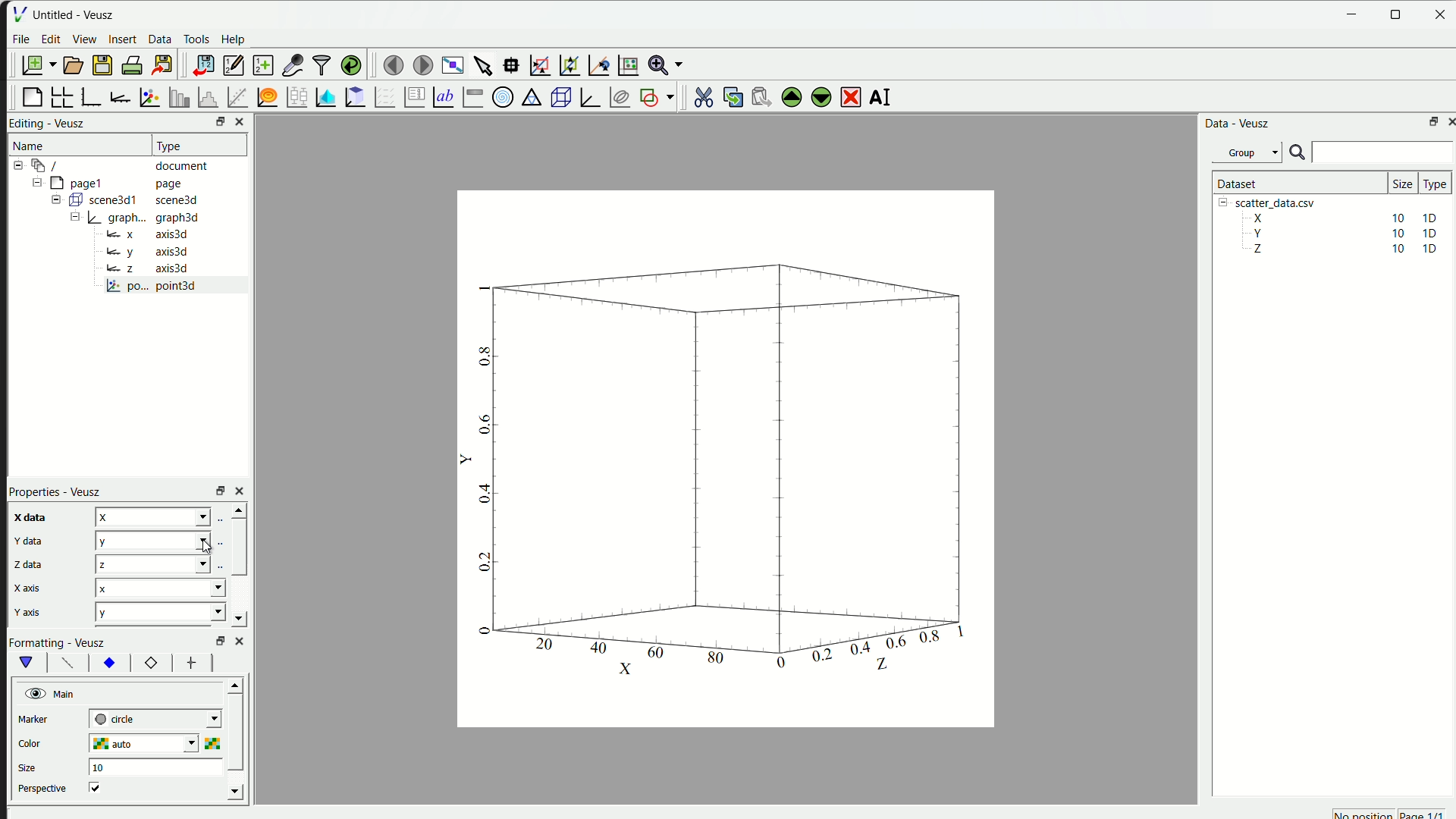  I want to click on cursor, so click(210, 550).